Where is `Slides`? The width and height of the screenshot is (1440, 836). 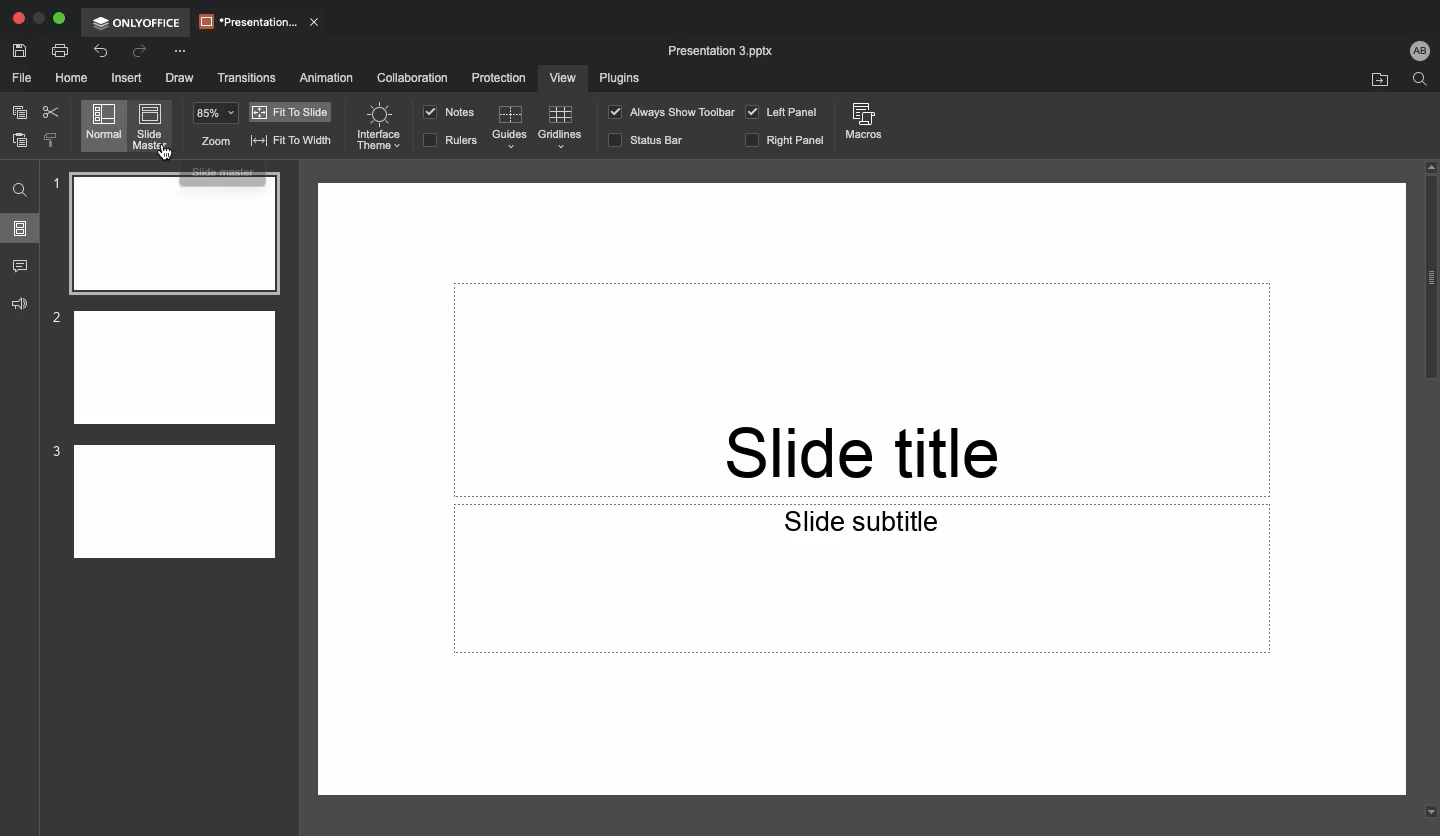 Slides is located at coordinates (20, 228).